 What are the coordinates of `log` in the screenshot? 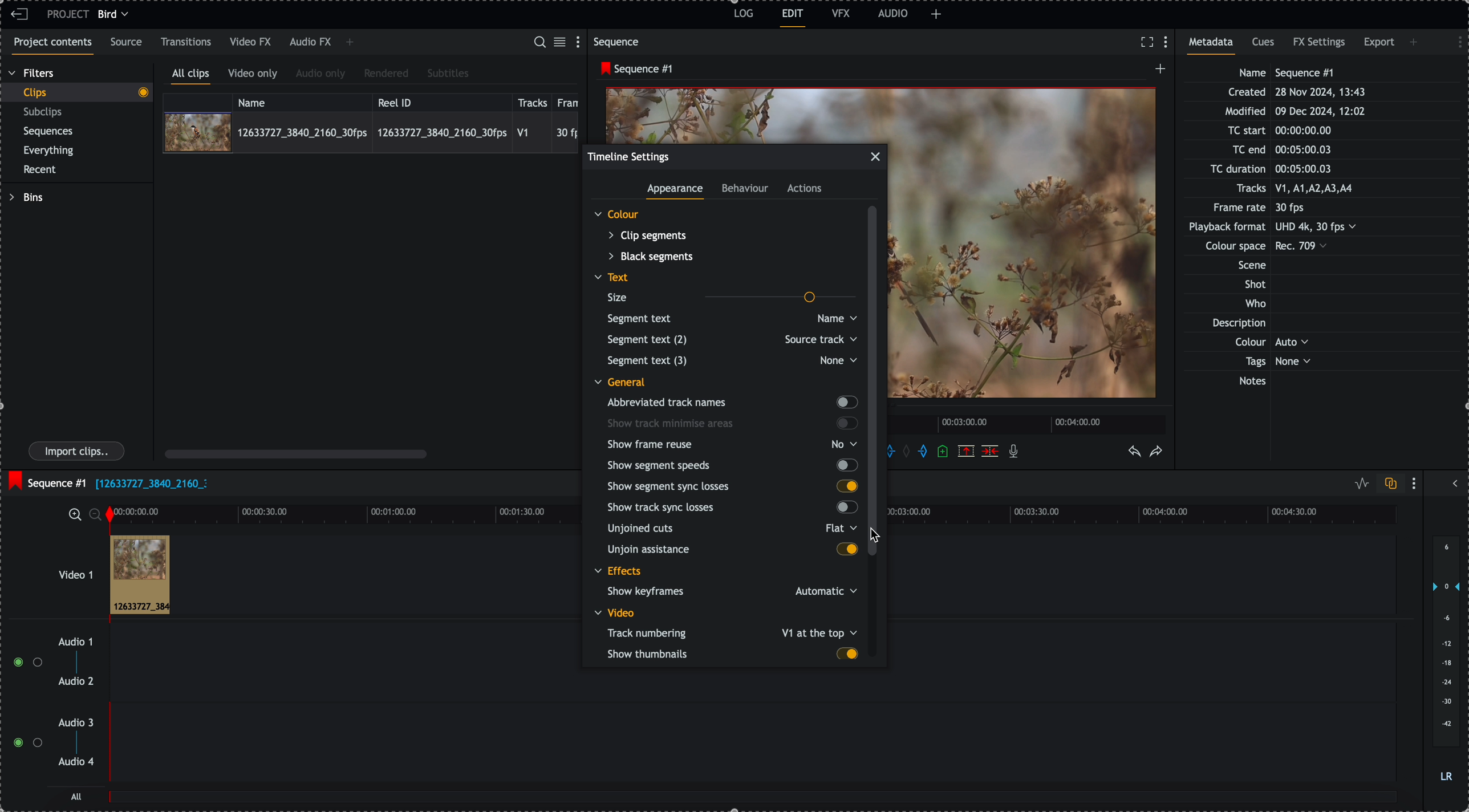 It's located at (742, 15).